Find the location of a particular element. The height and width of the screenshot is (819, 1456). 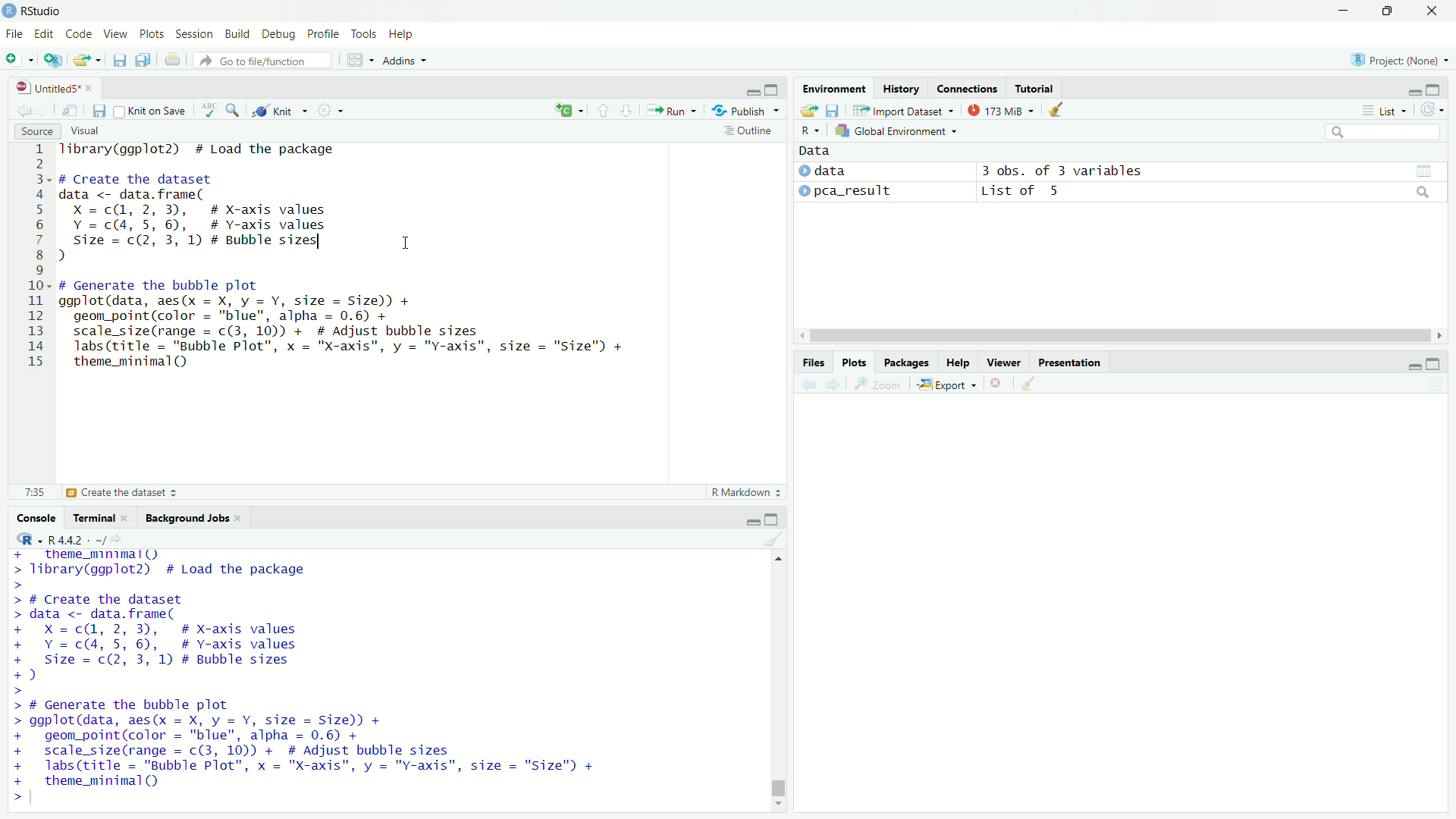

import dataset is located at coordinates (902, 111).